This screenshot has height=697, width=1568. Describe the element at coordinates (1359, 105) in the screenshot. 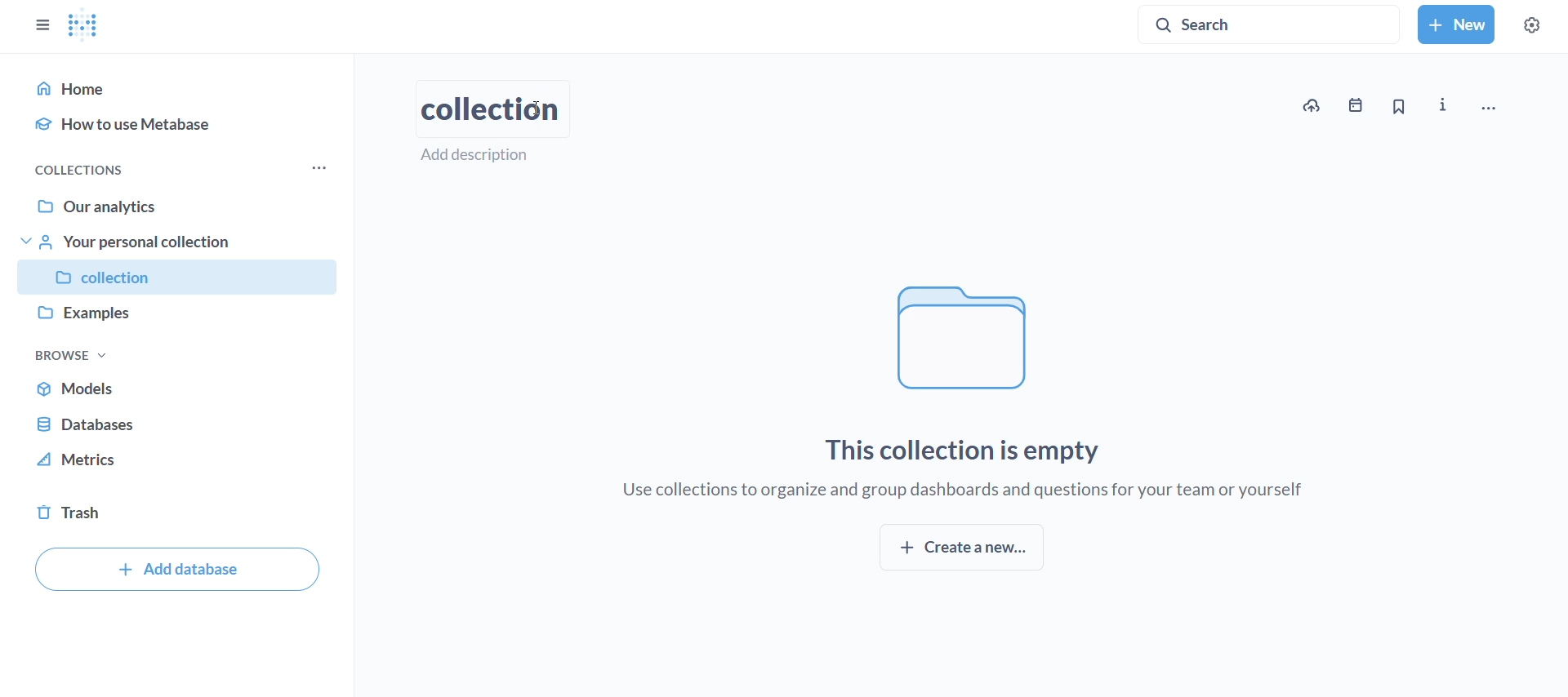

I see `events` at that location.